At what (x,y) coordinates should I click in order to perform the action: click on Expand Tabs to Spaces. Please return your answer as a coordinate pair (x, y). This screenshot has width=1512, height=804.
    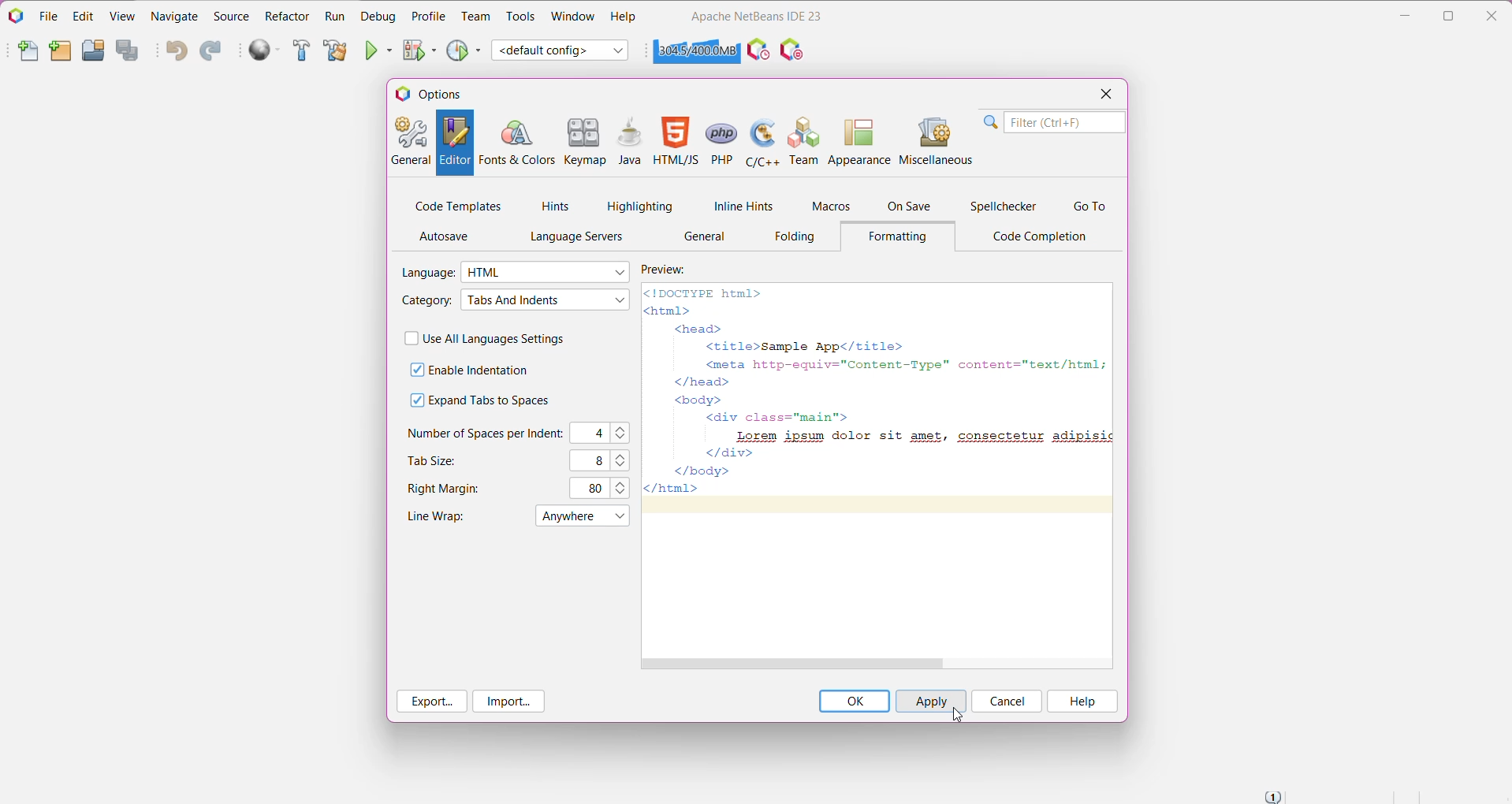
    Looking at the image, I should click on (493, 400).